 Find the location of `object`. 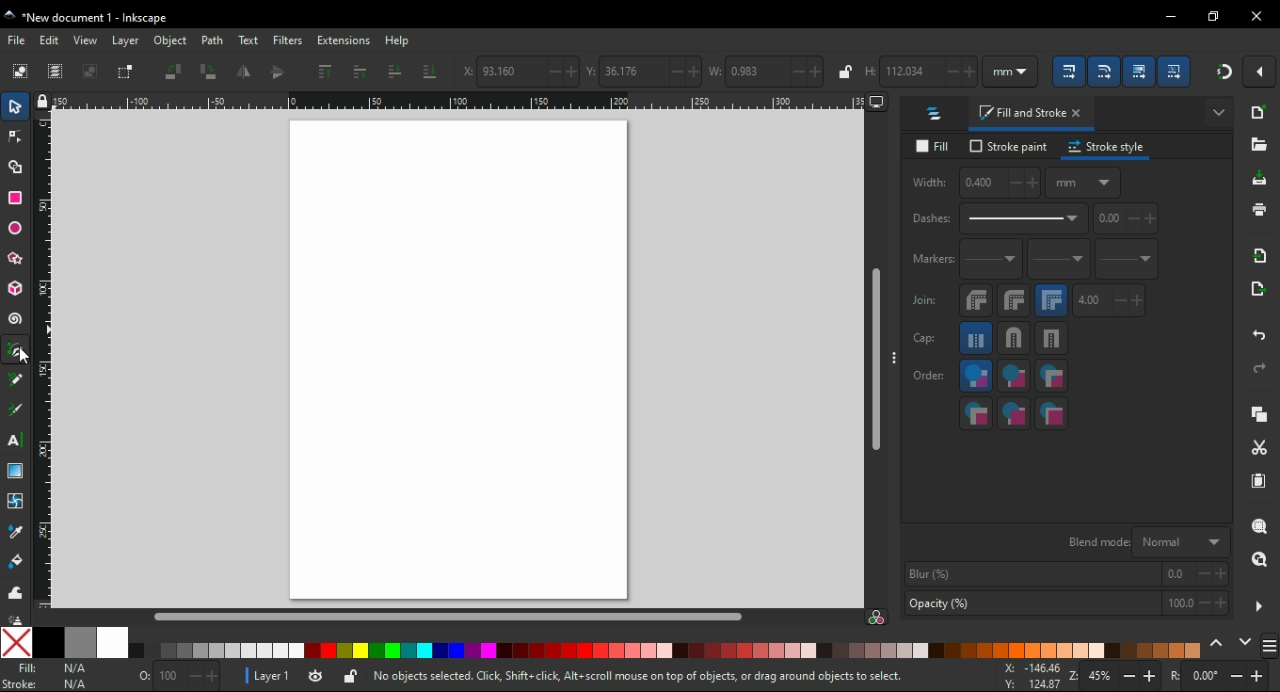

object is located at coordinates (173, 41).